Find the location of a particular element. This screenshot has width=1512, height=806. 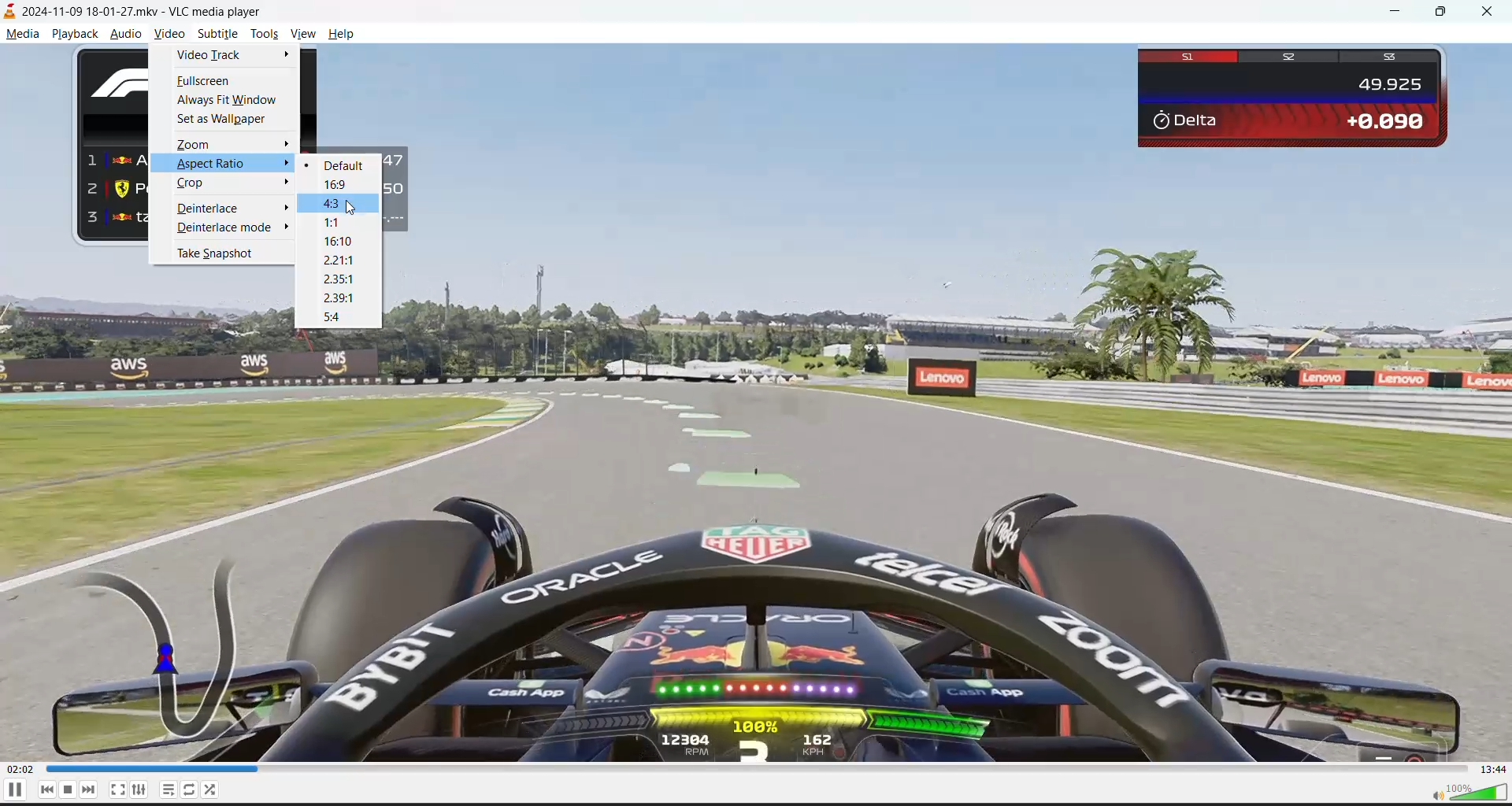

4:3 is located at coordinates (337, 204).